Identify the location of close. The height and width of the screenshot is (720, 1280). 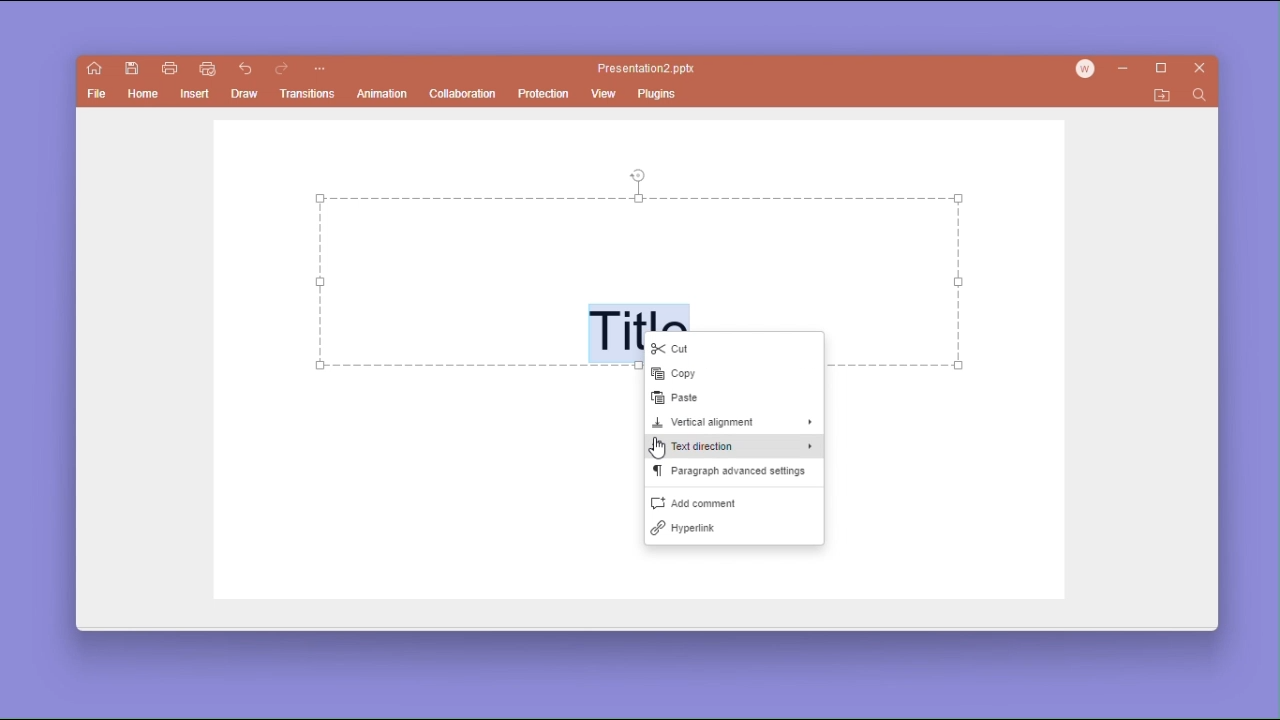
(1201, 70).